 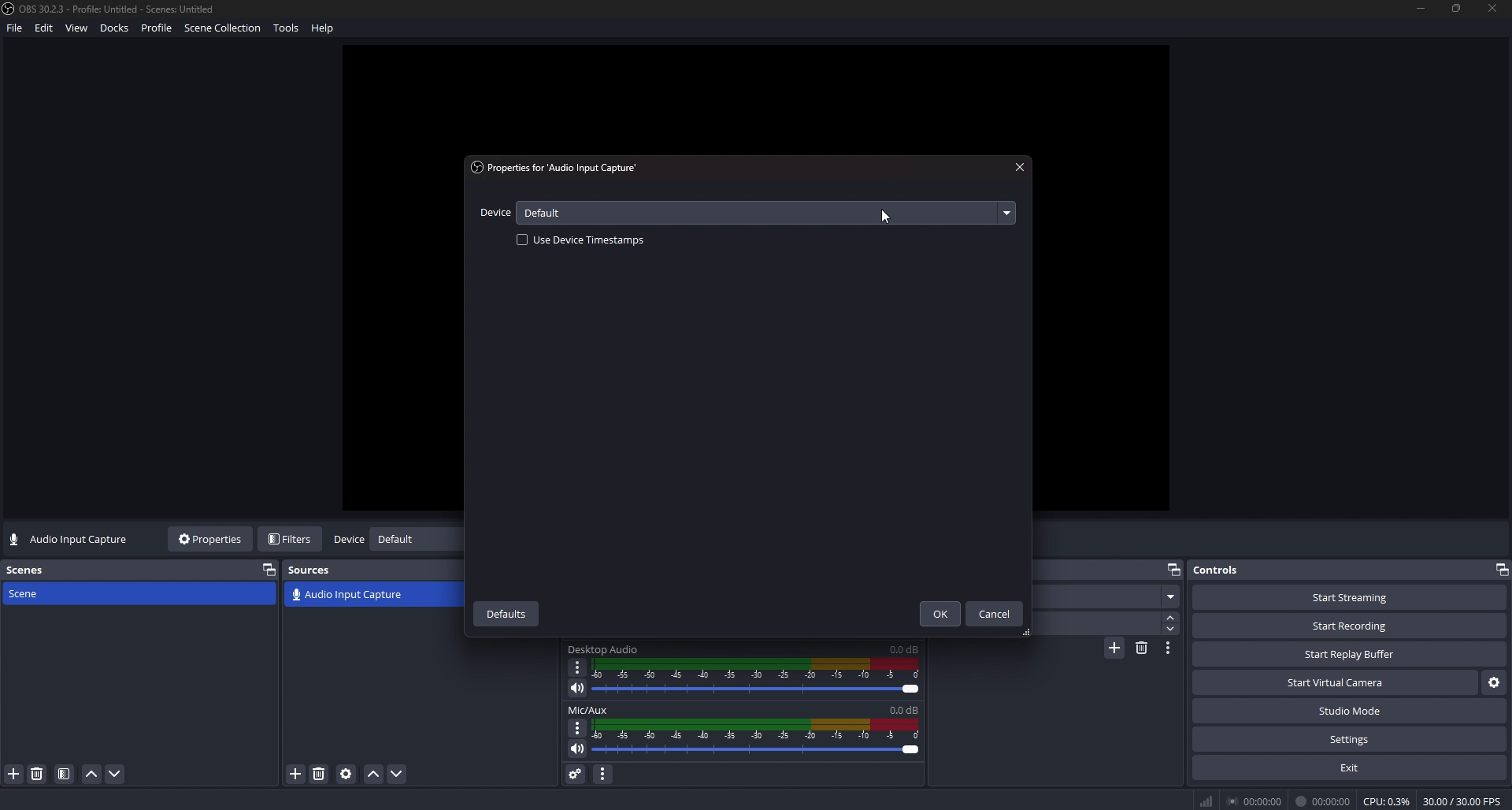 What do you see at coordinates (1094, 624) in the screenshot?
I see `duration` at bounding box center [1094, 624].